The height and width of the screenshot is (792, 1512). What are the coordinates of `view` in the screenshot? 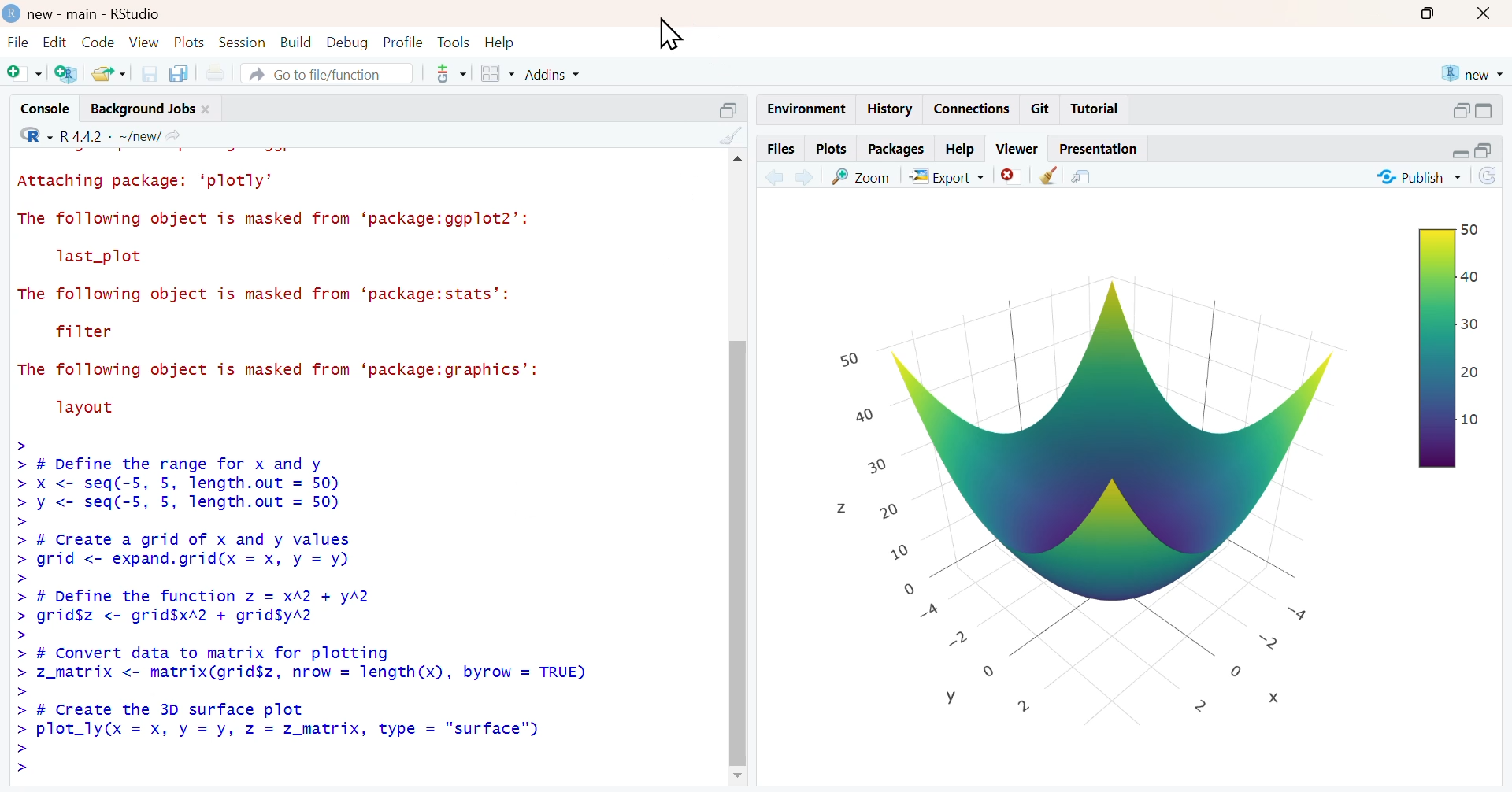 It's located at (145, 42).